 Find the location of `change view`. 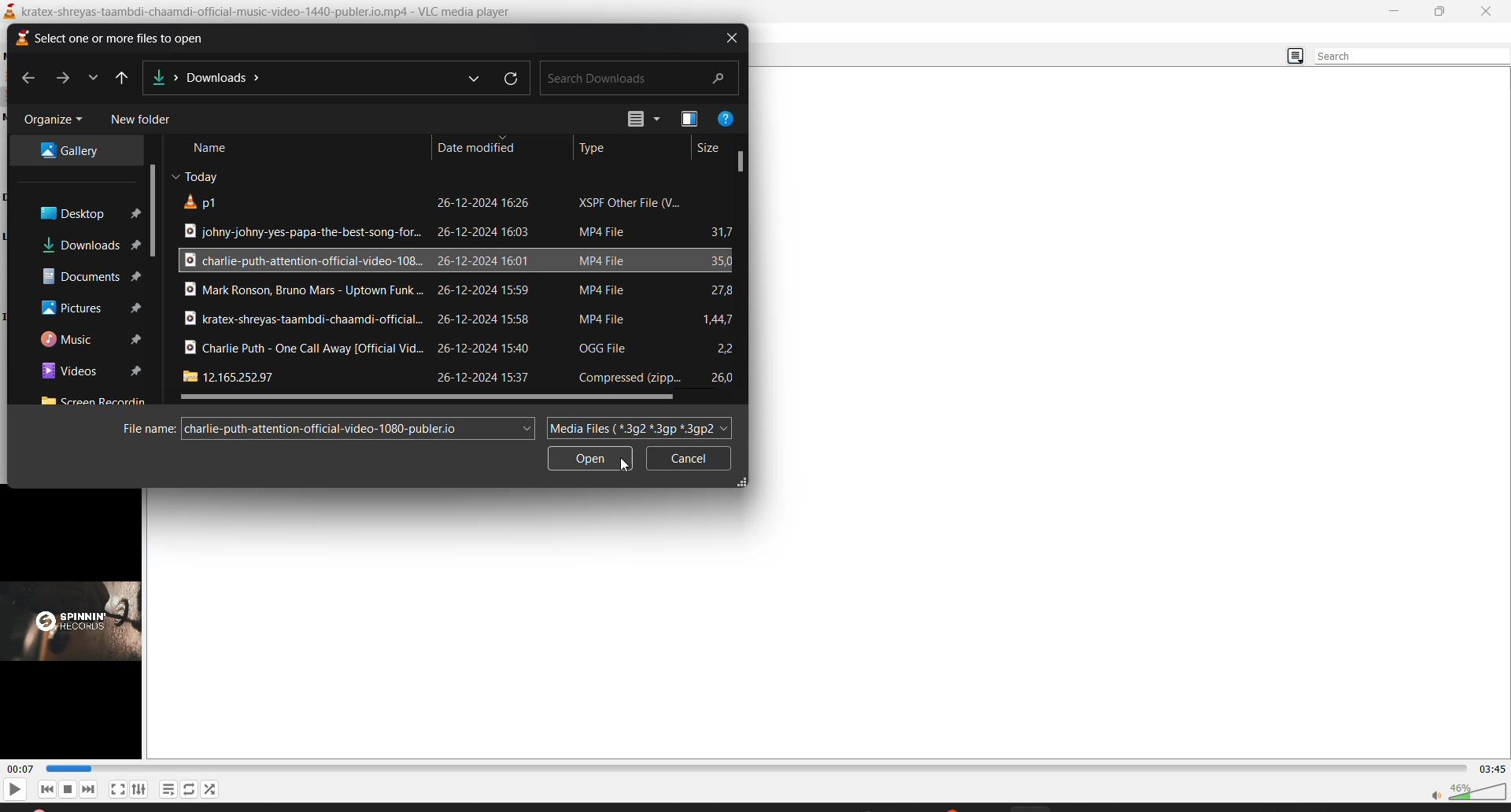

change view is located at coordinates (643, 119).